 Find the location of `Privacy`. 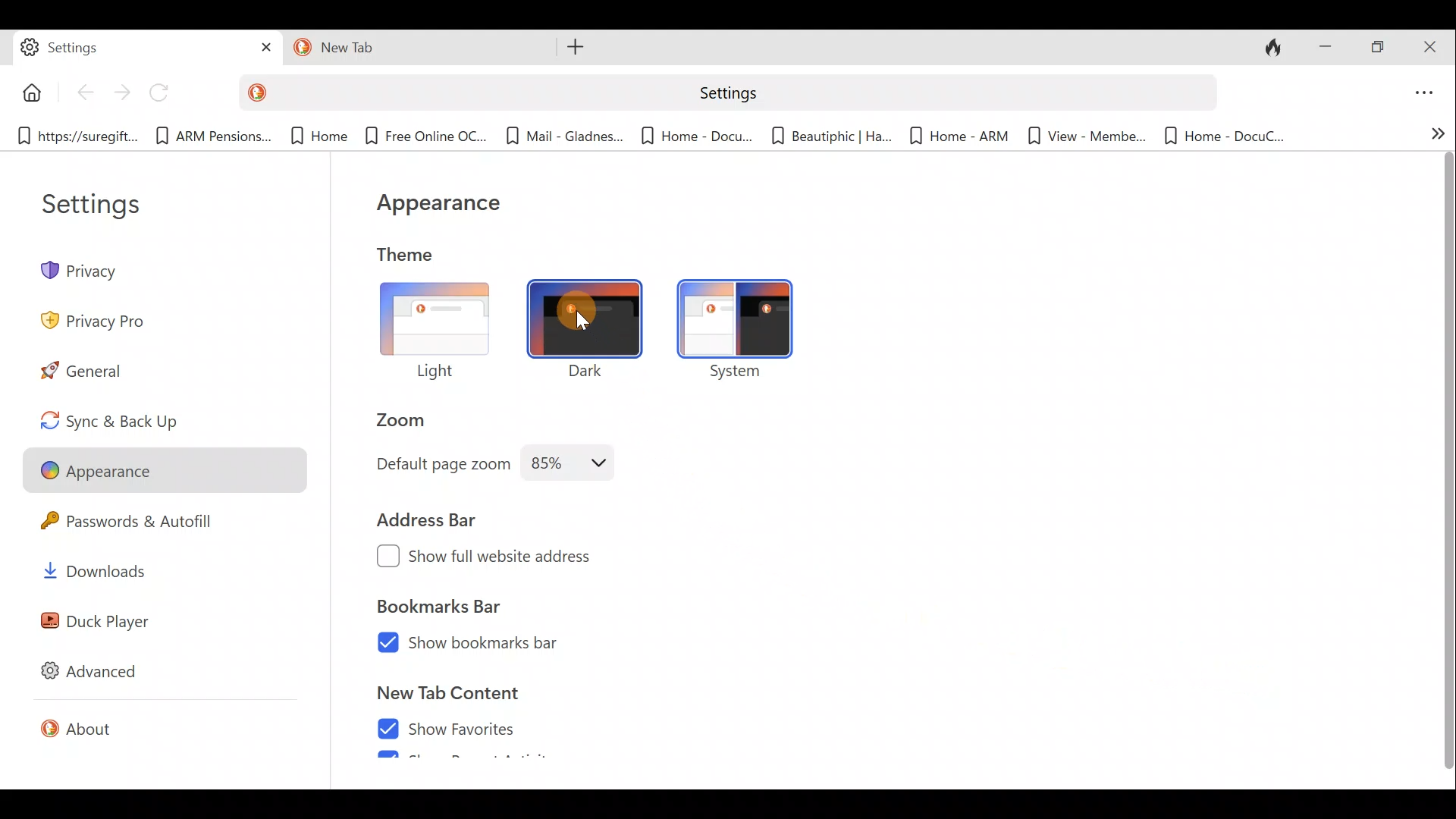

Privacy is located at coordinates (88, 270).